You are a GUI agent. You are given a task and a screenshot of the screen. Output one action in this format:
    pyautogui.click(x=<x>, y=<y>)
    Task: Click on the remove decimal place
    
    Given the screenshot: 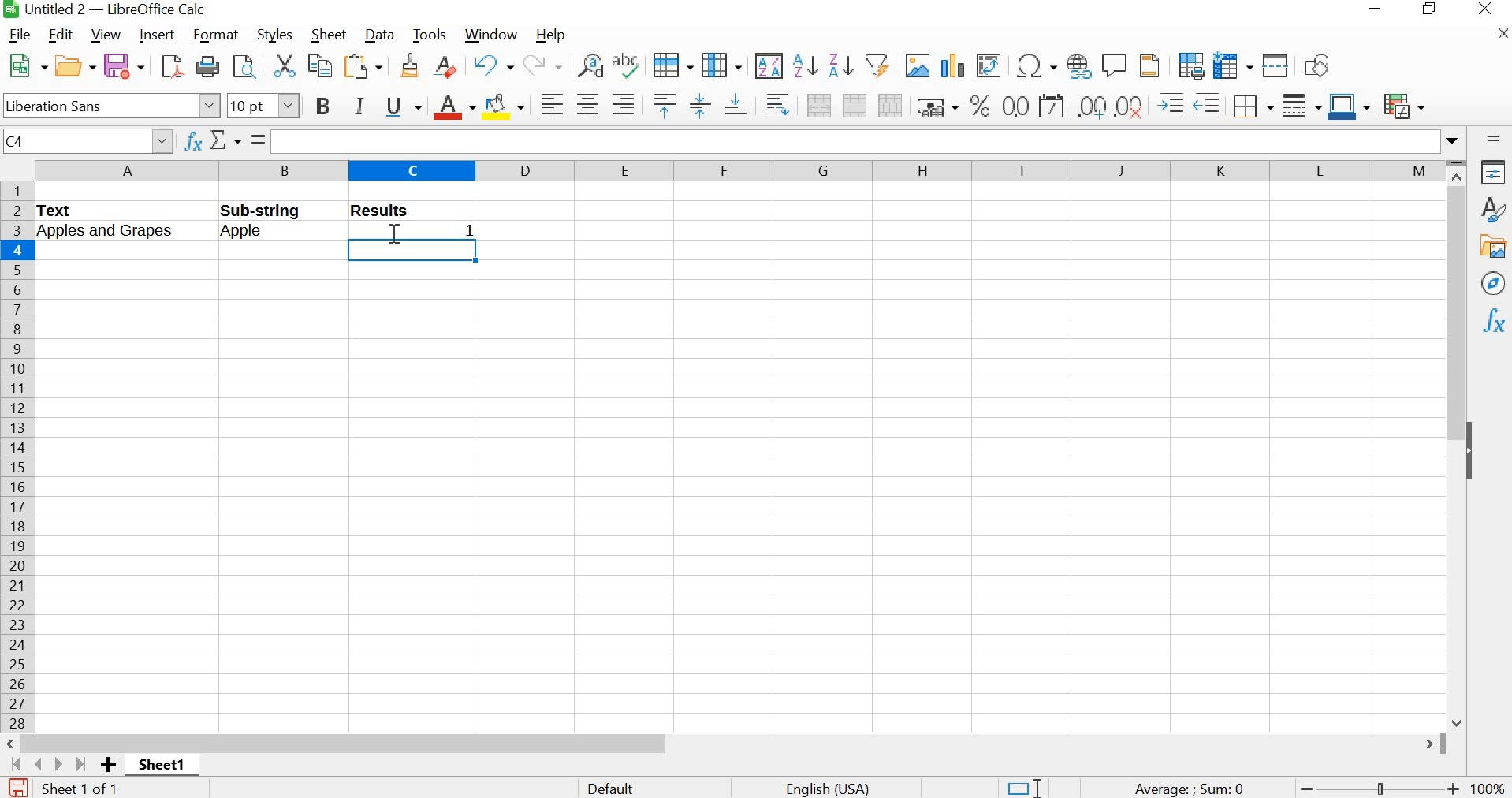 What is the action you would take?
    pyautogui.click(x=1092, y=106)
    